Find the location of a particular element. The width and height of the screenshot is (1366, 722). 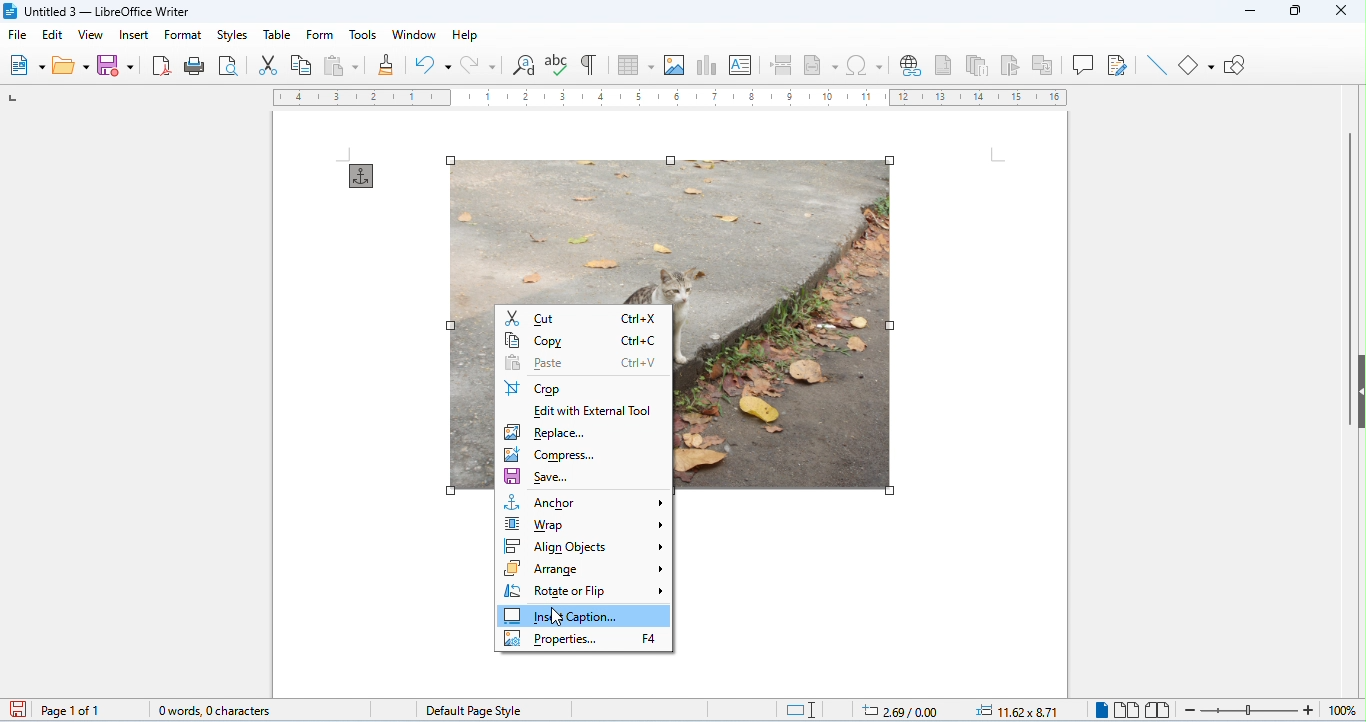

default page is located at coordinates (472, 709).